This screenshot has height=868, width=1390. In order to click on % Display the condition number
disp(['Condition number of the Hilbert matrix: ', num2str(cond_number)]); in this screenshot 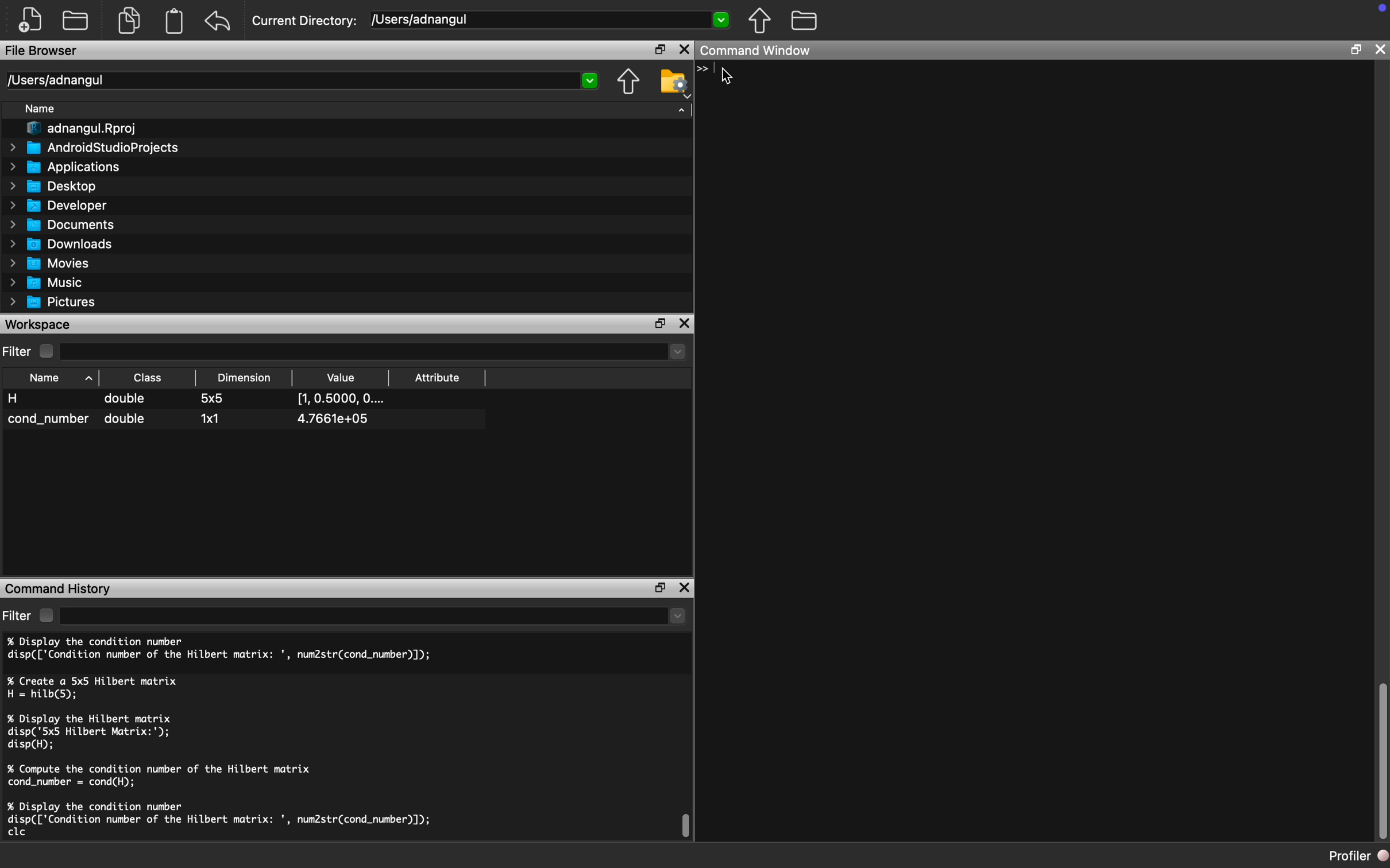, I will do `click(226, 652)`.